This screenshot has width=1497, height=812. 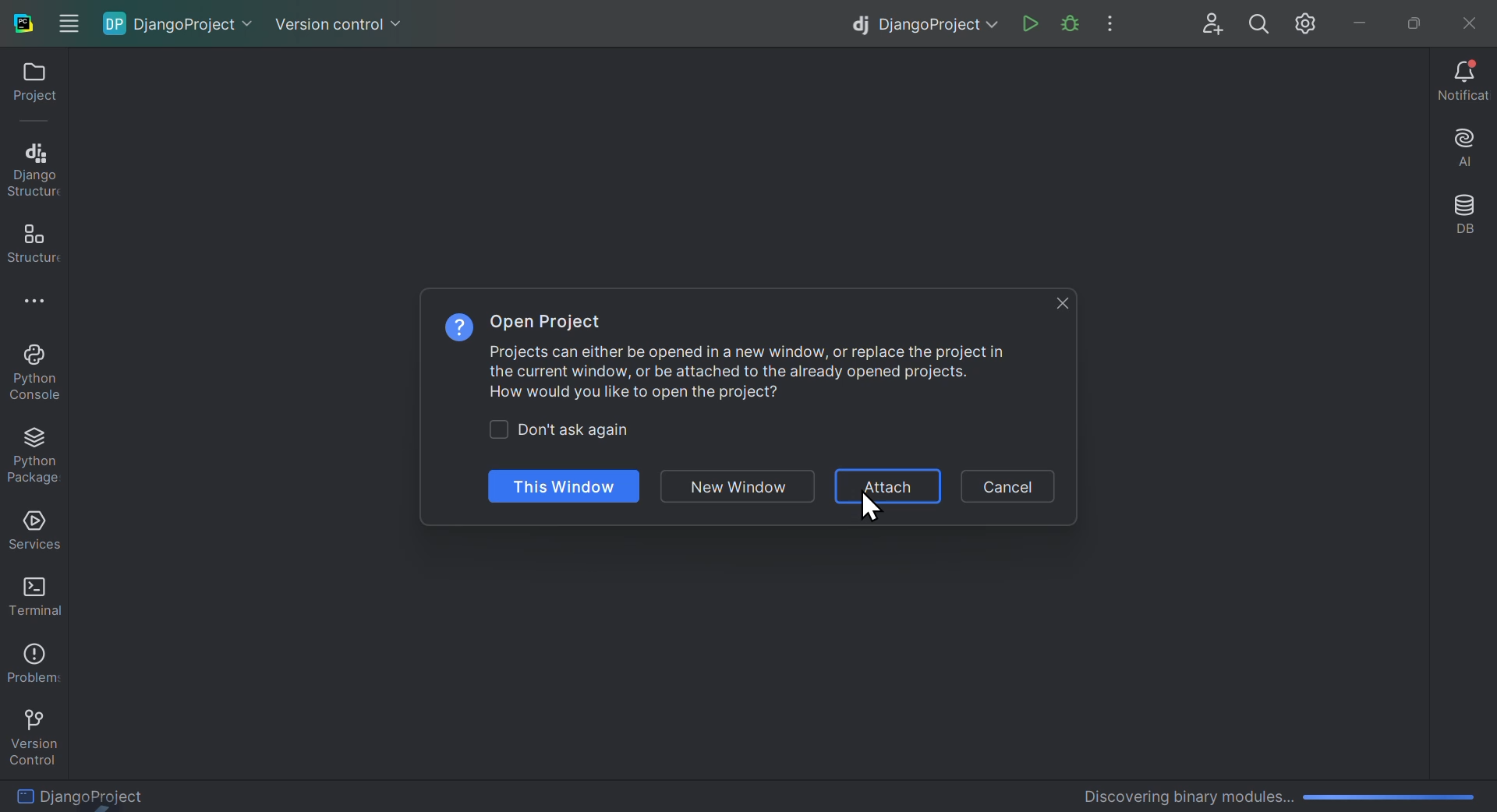 I want to click on Windows options, so click(x=67, y=19).